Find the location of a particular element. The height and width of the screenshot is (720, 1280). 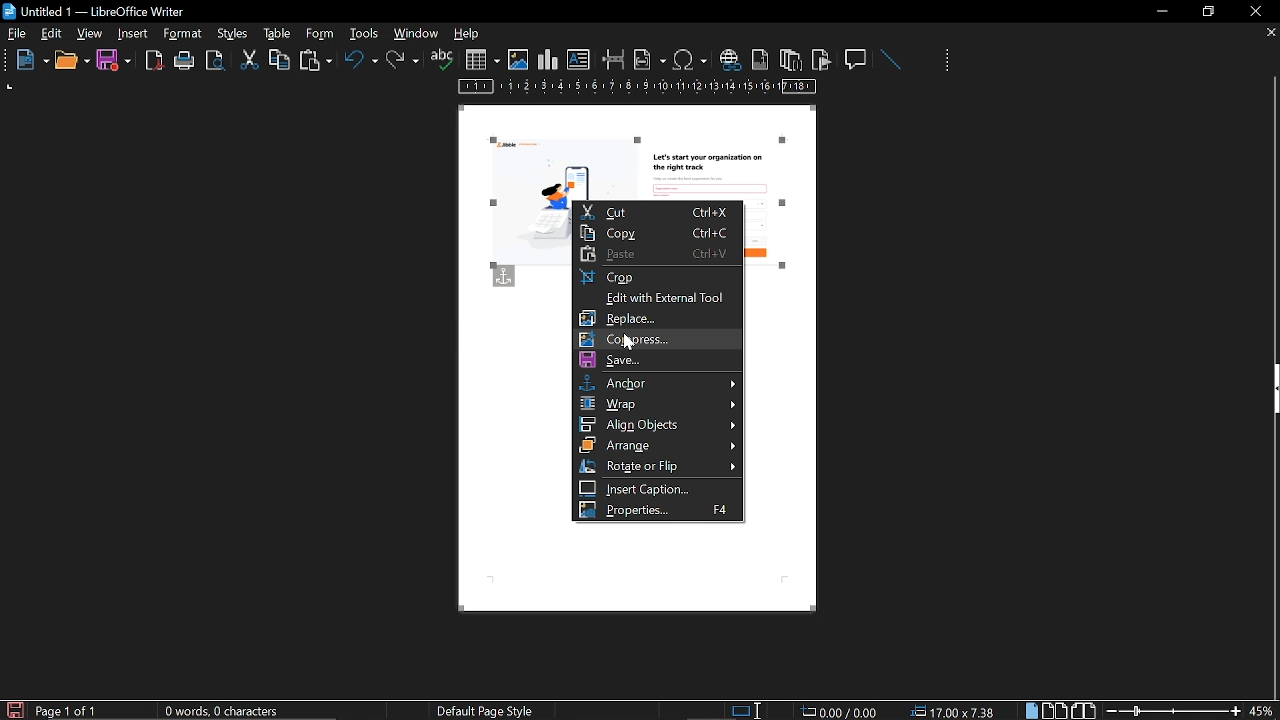

close is located at coordinates (1254, 11).